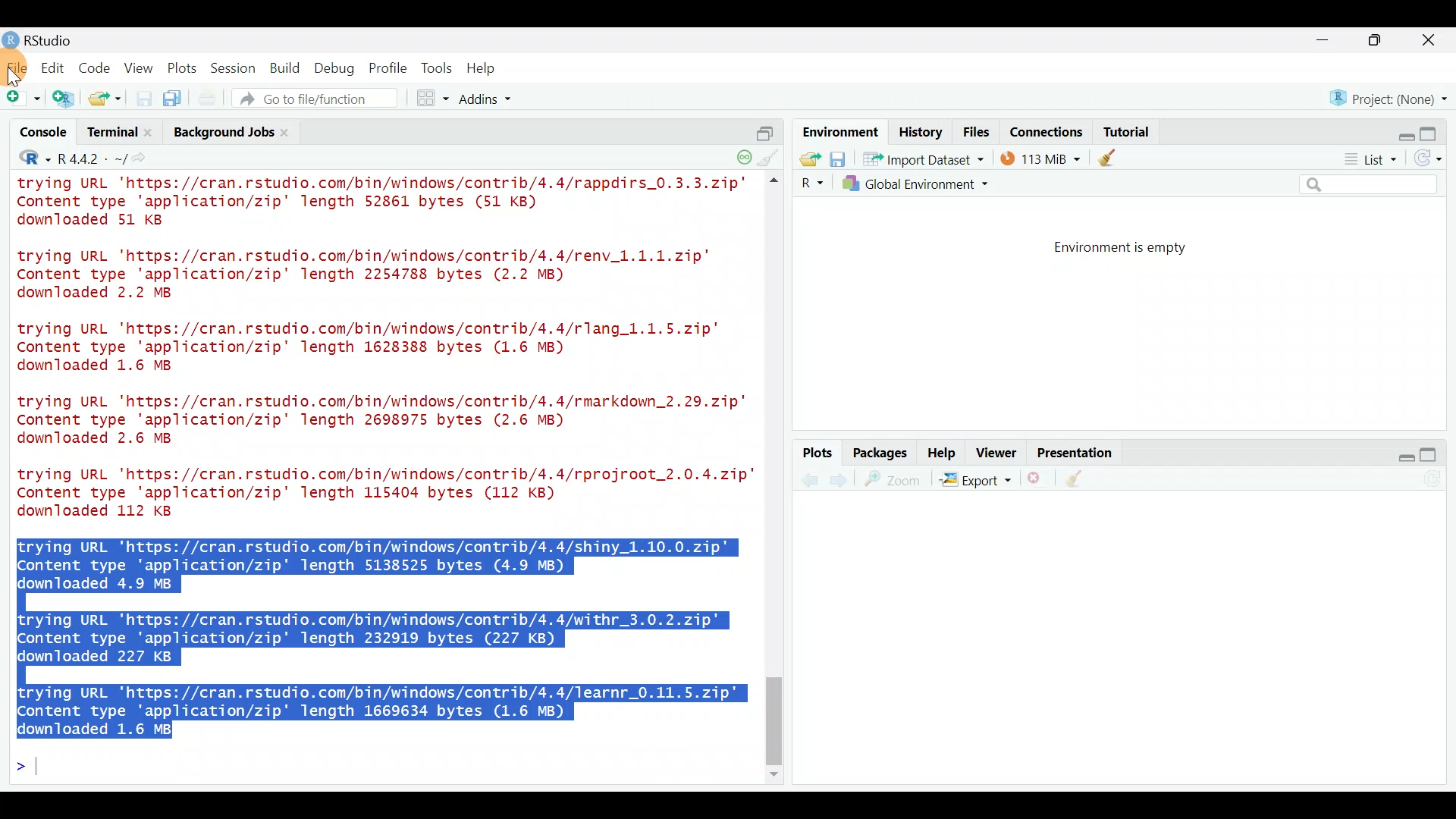  What do you see at coordinates (322, 99) in the screenshot?
I see `Go to file/function` at bounding box center [322, 99].